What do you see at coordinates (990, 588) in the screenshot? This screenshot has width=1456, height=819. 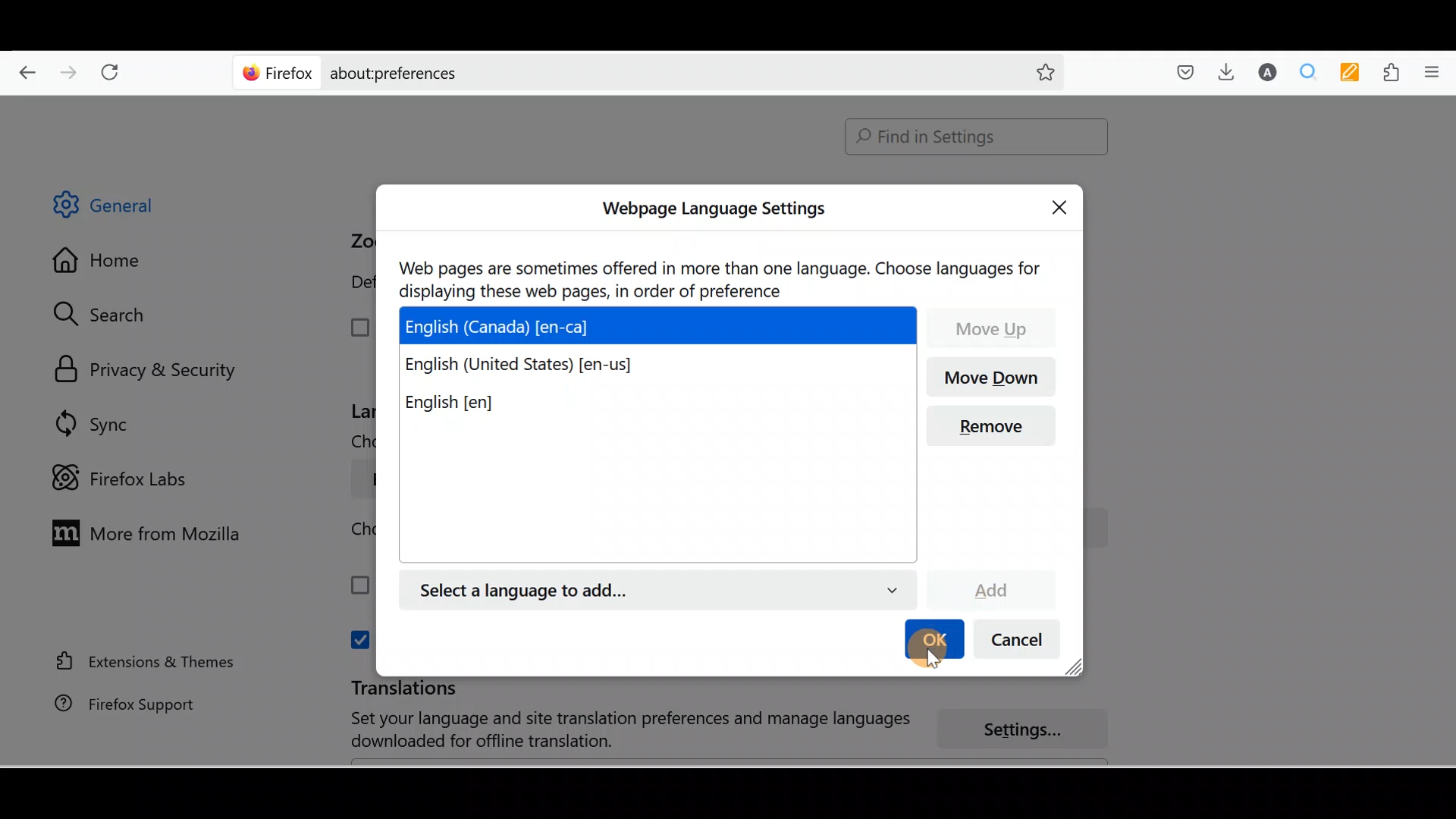 I see `Add` at bounding box center [990, 588].